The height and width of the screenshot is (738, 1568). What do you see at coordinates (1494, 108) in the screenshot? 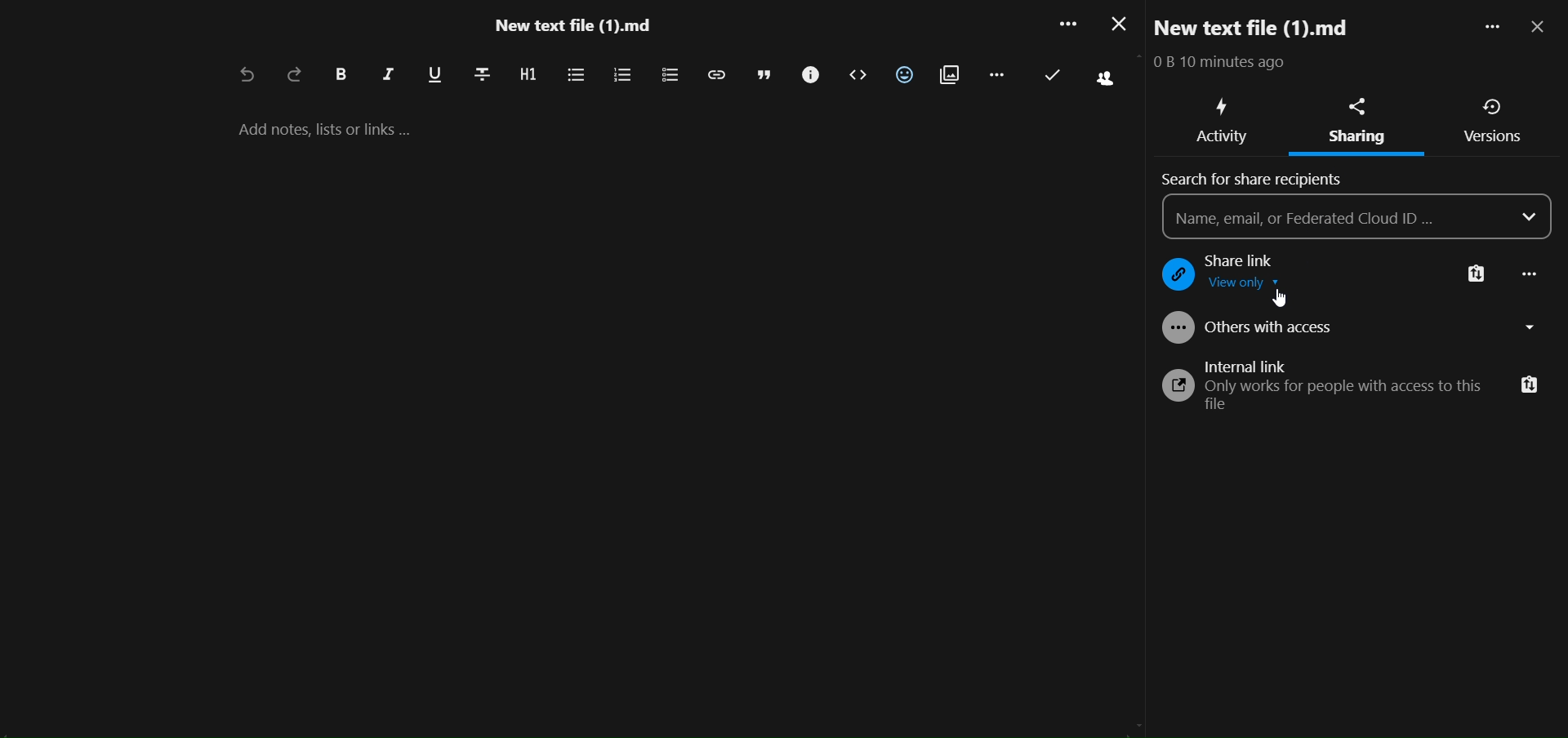
I see `version` at bounding box center [1494, 108].